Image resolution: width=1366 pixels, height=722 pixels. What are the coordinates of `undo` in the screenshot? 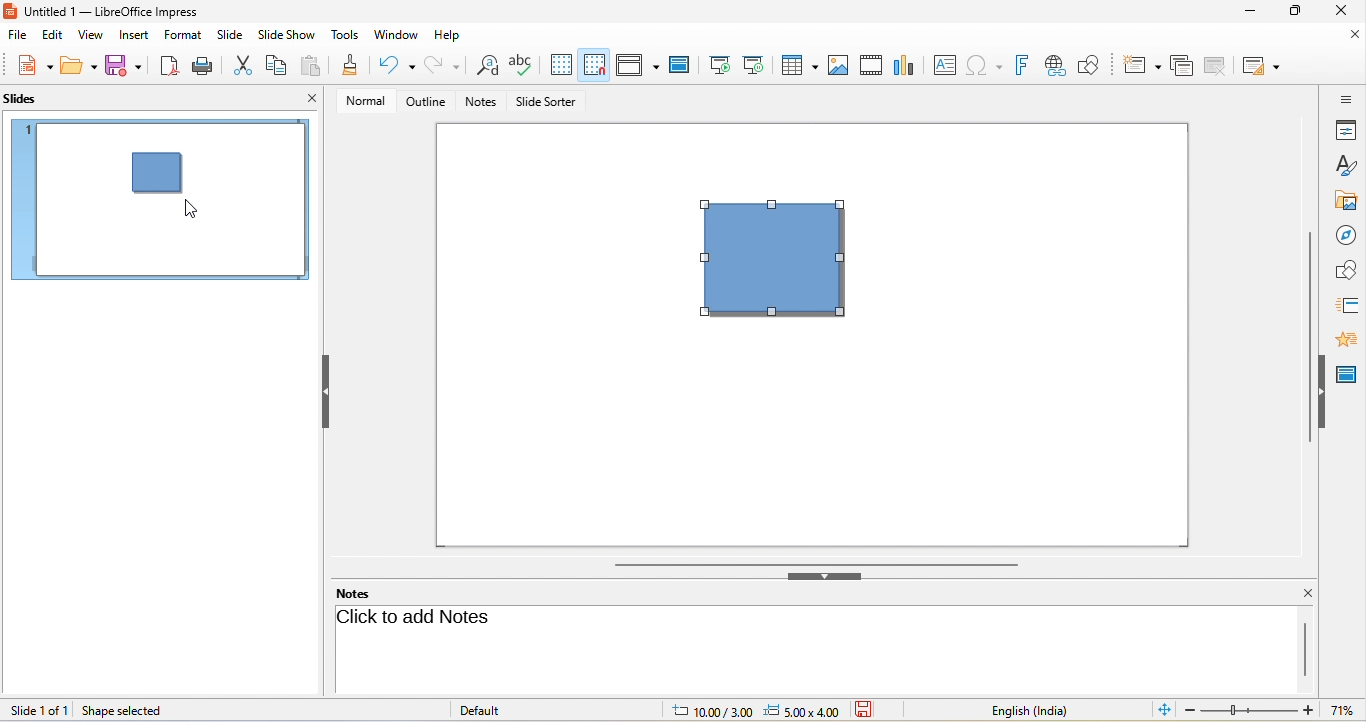 It's located at (395, 63).